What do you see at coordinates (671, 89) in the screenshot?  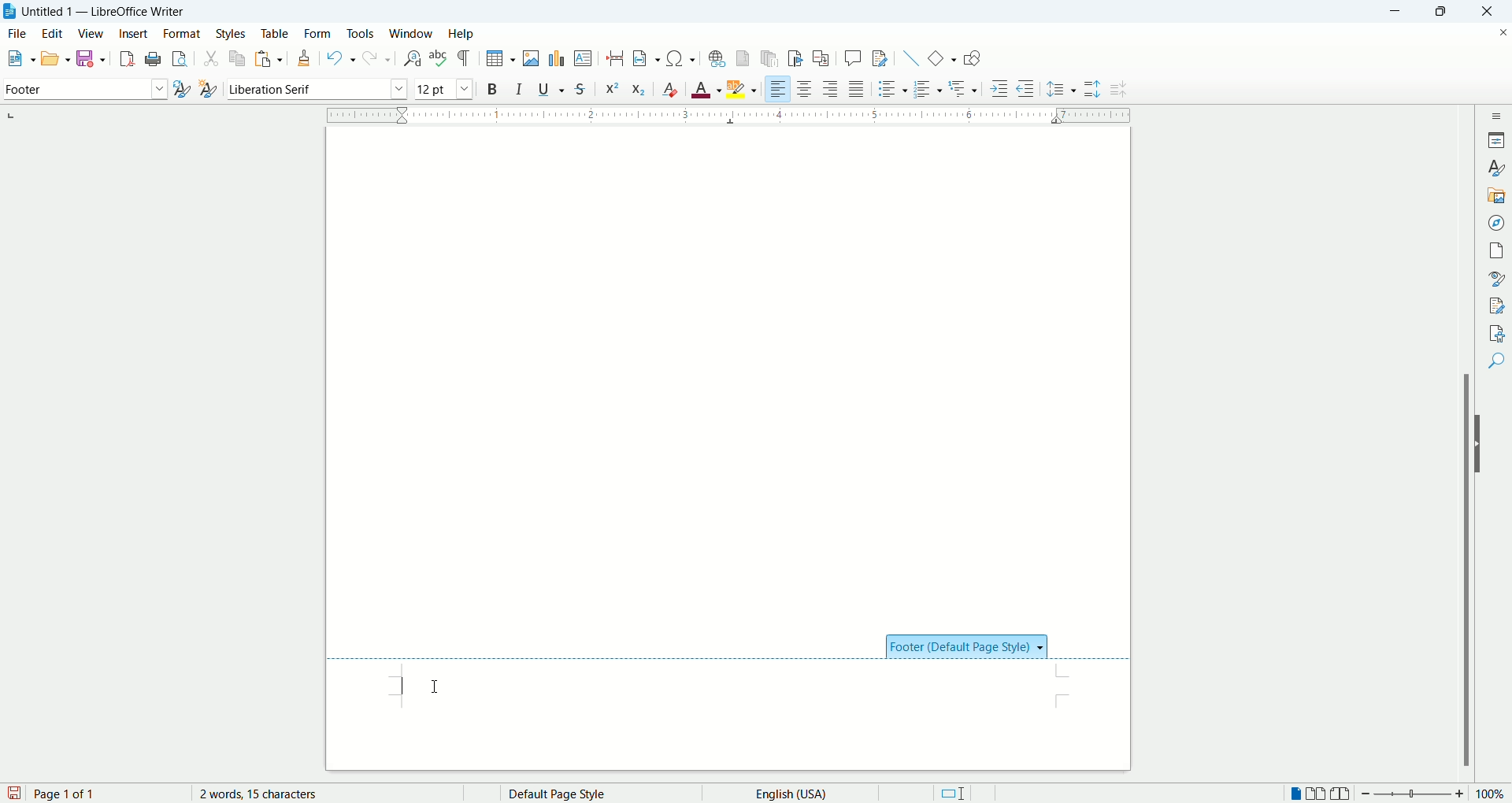 I see `clear formatting` at bounding box center [671, 89].